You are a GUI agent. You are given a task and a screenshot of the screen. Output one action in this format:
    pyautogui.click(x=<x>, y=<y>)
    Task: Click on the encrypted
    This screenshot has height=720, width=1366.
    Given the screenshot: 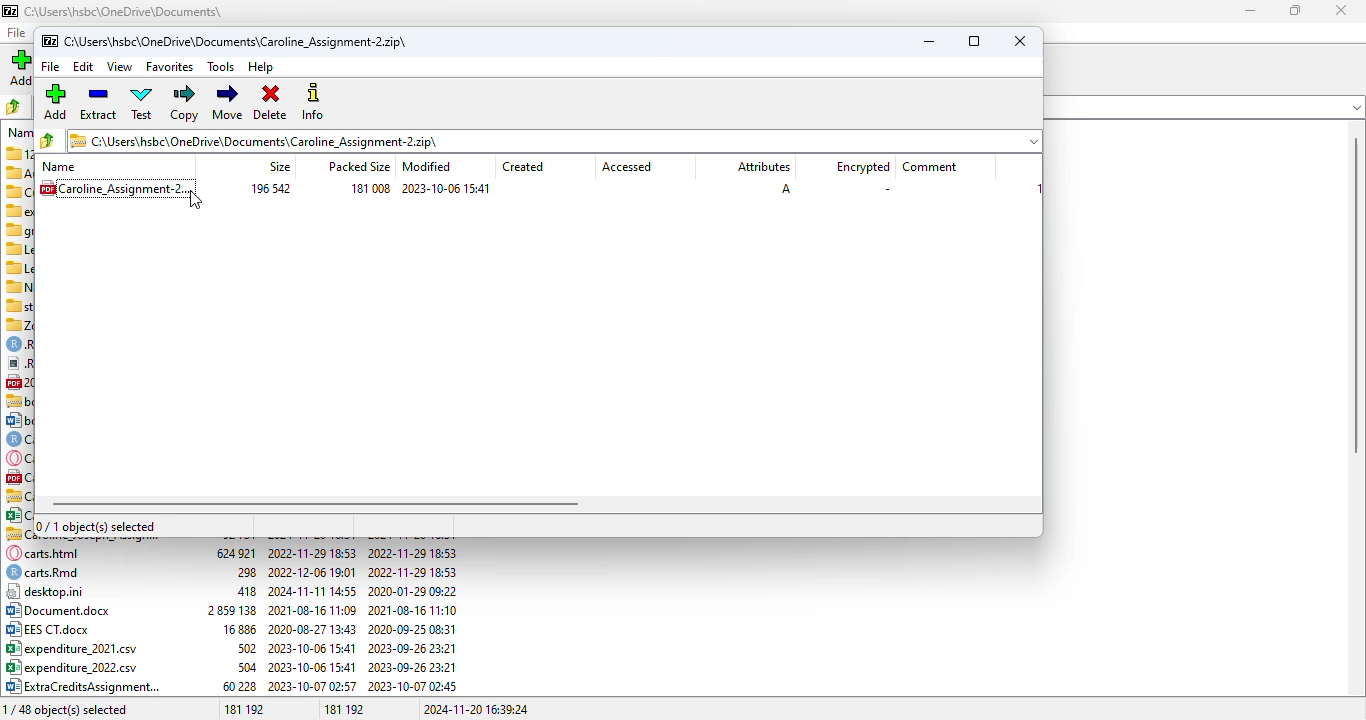 What is the action you would take?
    pyautogui.click(x=862, y=167)
    